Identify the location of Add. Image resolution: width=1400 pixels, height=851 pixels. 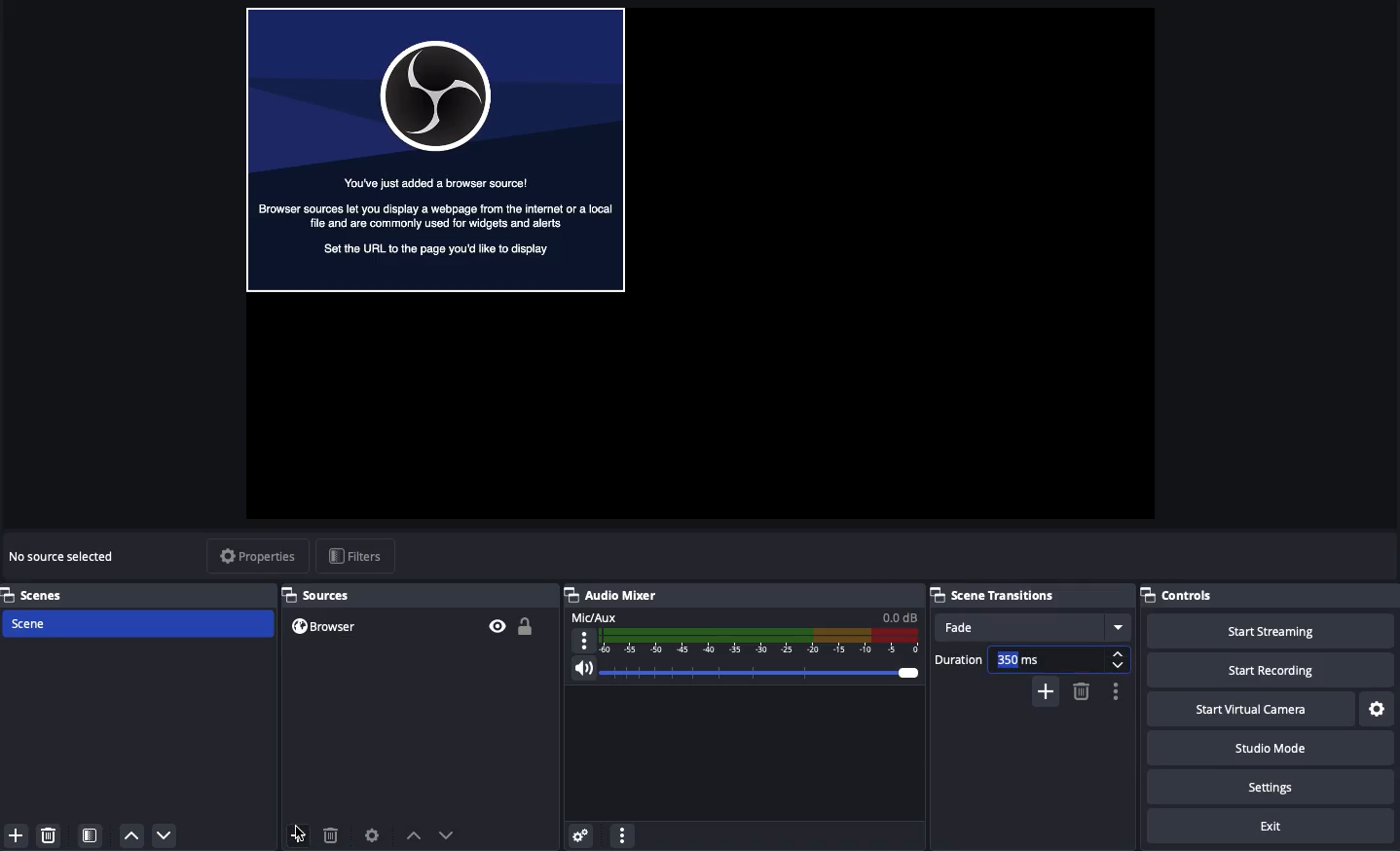
(16, 835).